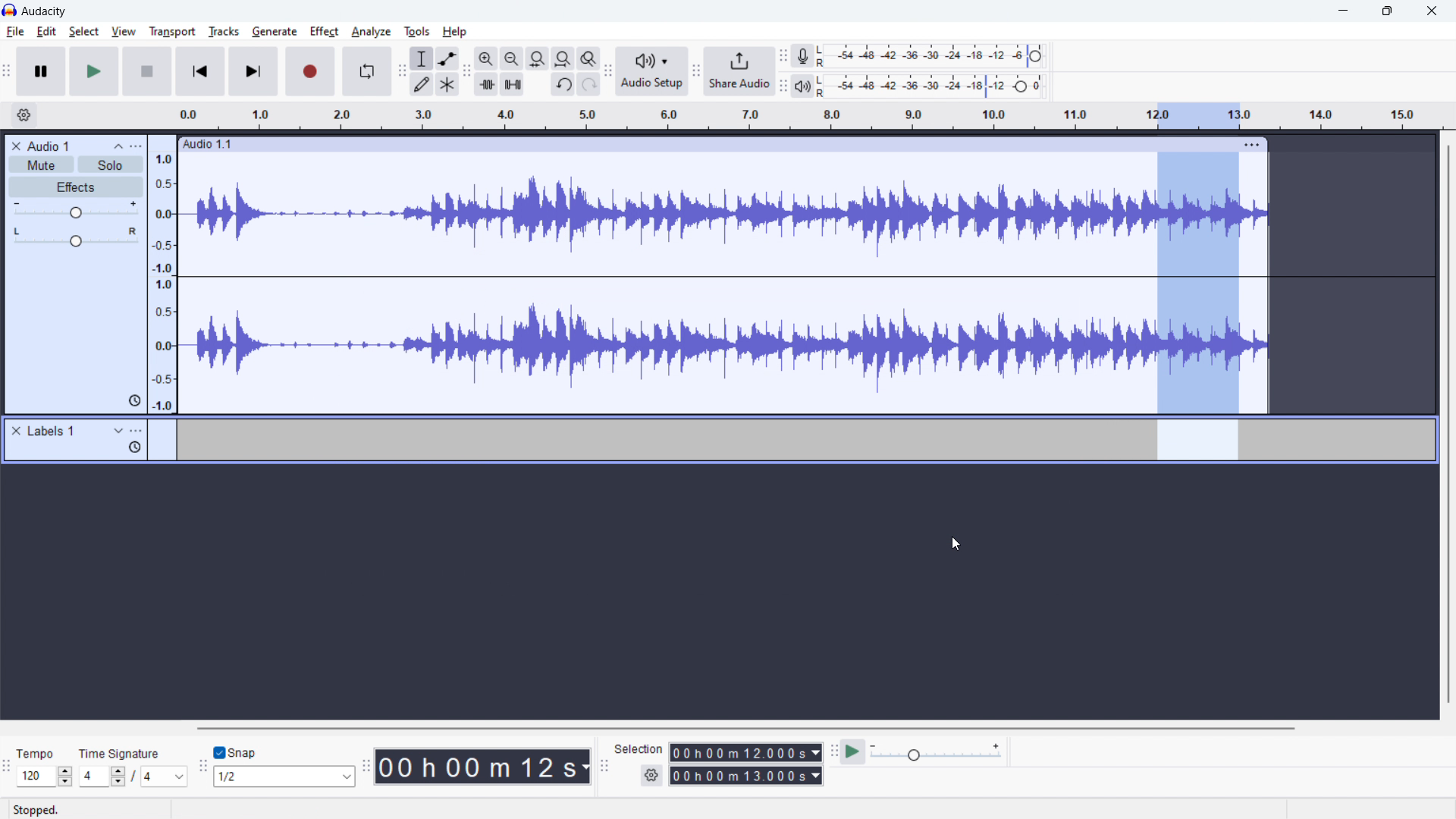 This screenshot has height=819, width=1456. What do you see at coordinates (136, 432) in the screenshot?
I see `labels options` at bounding box center [136, 432].